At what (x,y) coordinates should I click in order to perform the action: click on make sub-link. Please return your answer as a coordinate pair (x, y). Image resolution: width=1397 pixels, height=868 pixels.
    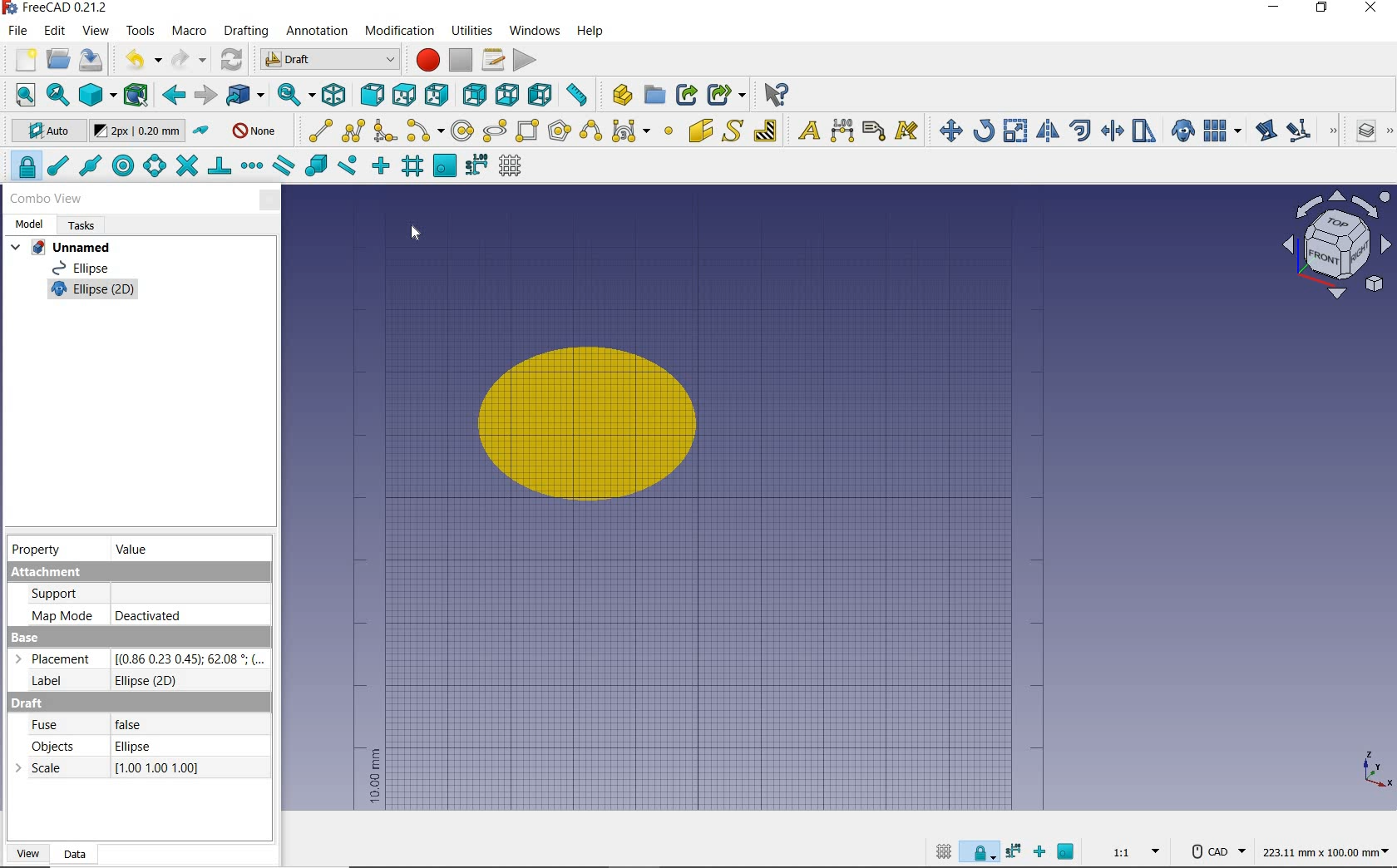
    Looking at the image, I should click on (727, 96).